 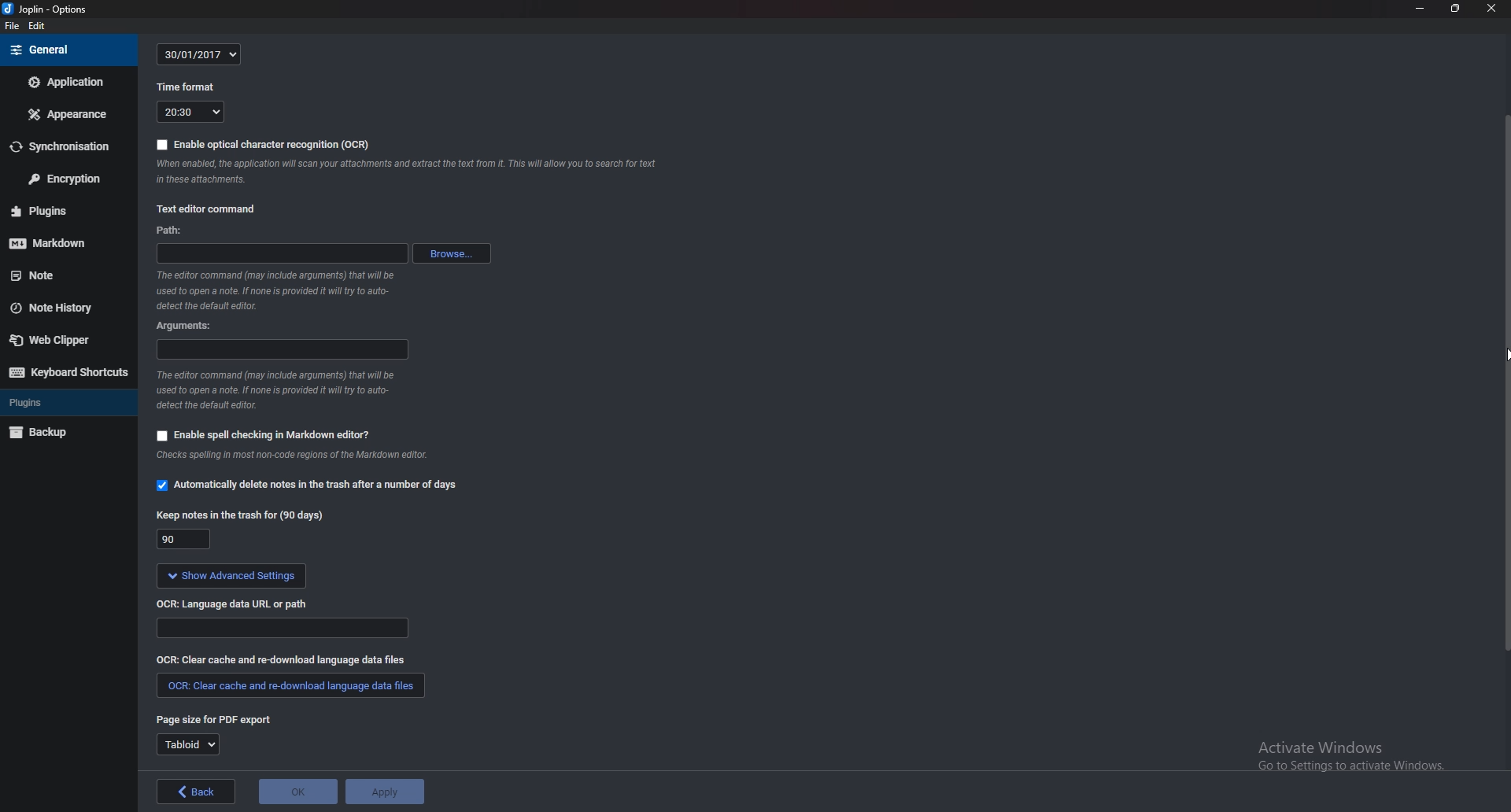 What do you see at coordinates (201, 54) in the screenshot?
I see `30/01/2017` at bounding box center [201, 54].